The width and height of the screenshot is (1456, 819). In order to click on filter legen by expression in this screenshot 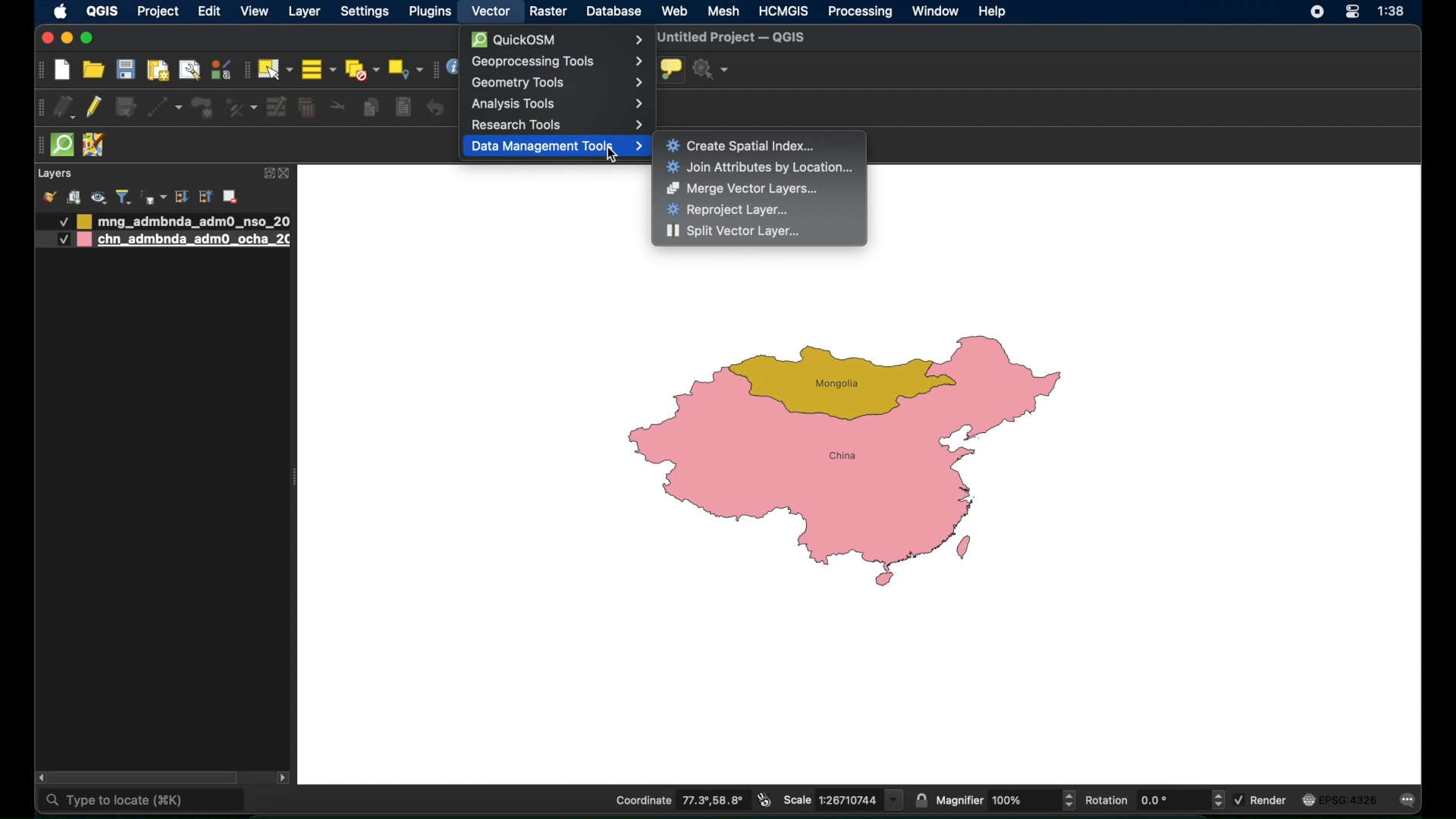, I will do `click(152, 196)`.